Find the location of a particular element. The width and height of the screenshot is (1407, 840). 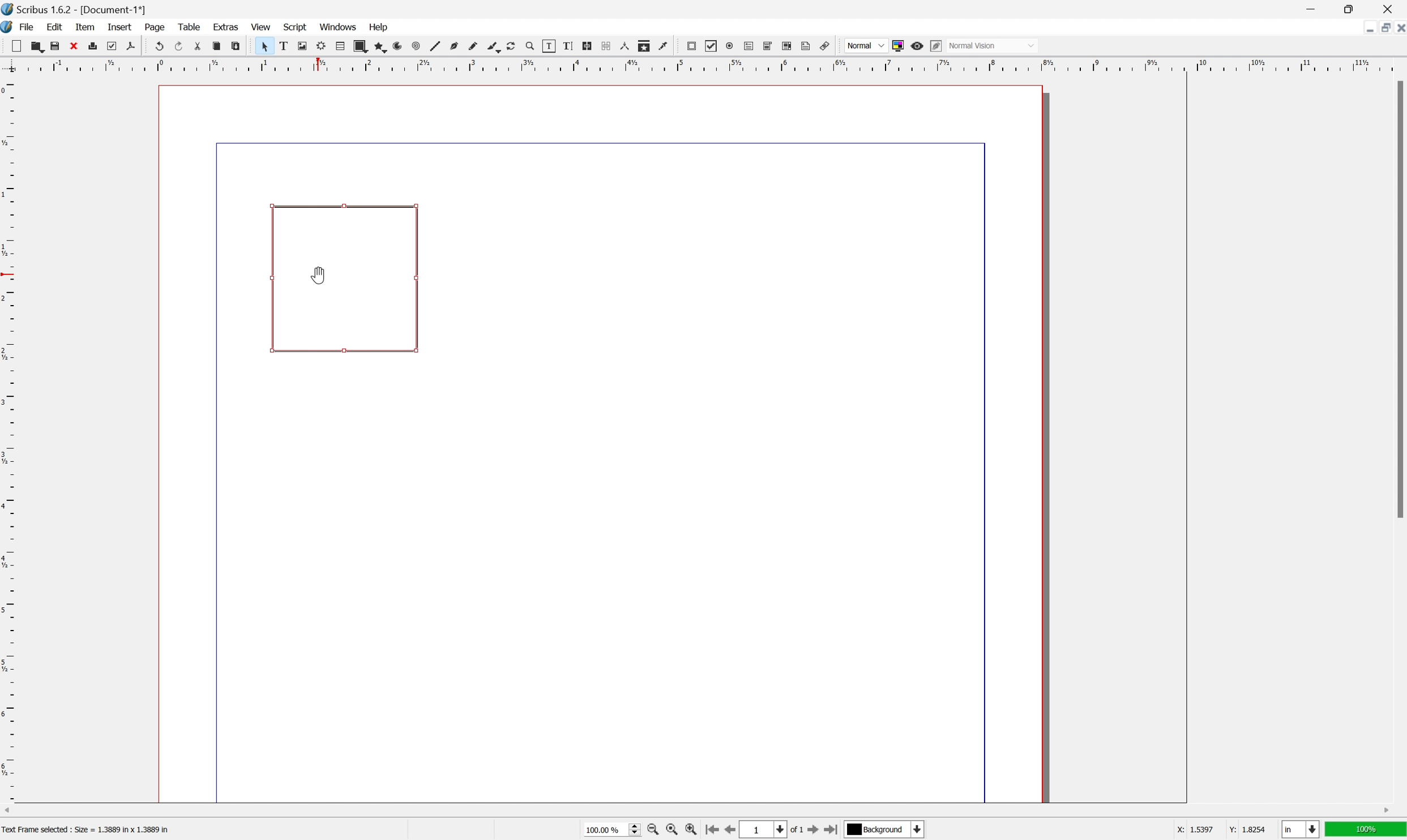

measurements is located at coordinates (625, 46).